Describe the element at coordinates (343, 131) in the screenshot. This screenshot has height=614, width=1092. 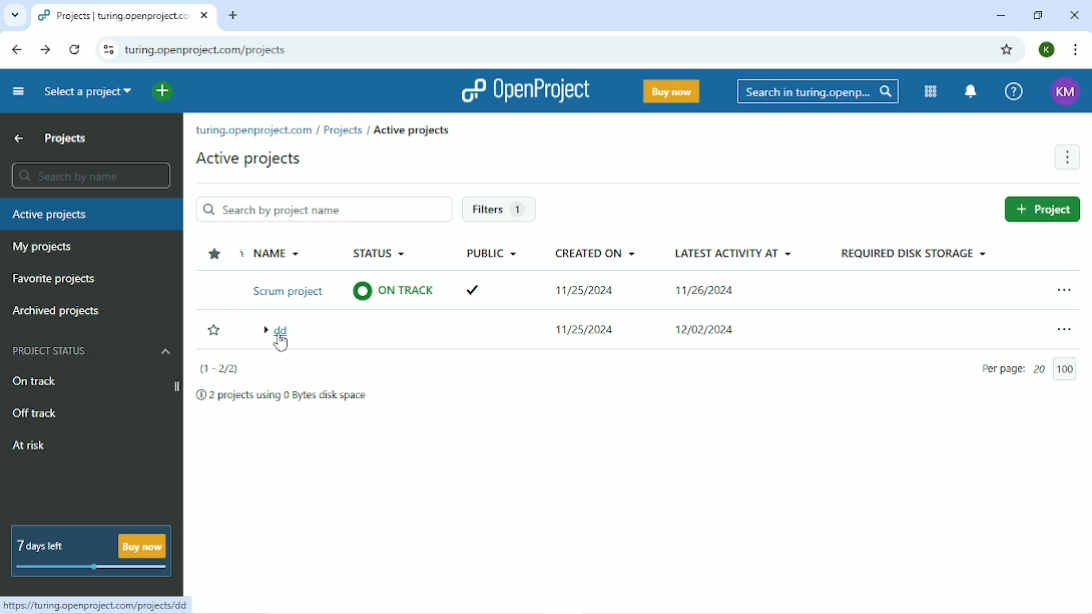
I see `Projects` at that location.